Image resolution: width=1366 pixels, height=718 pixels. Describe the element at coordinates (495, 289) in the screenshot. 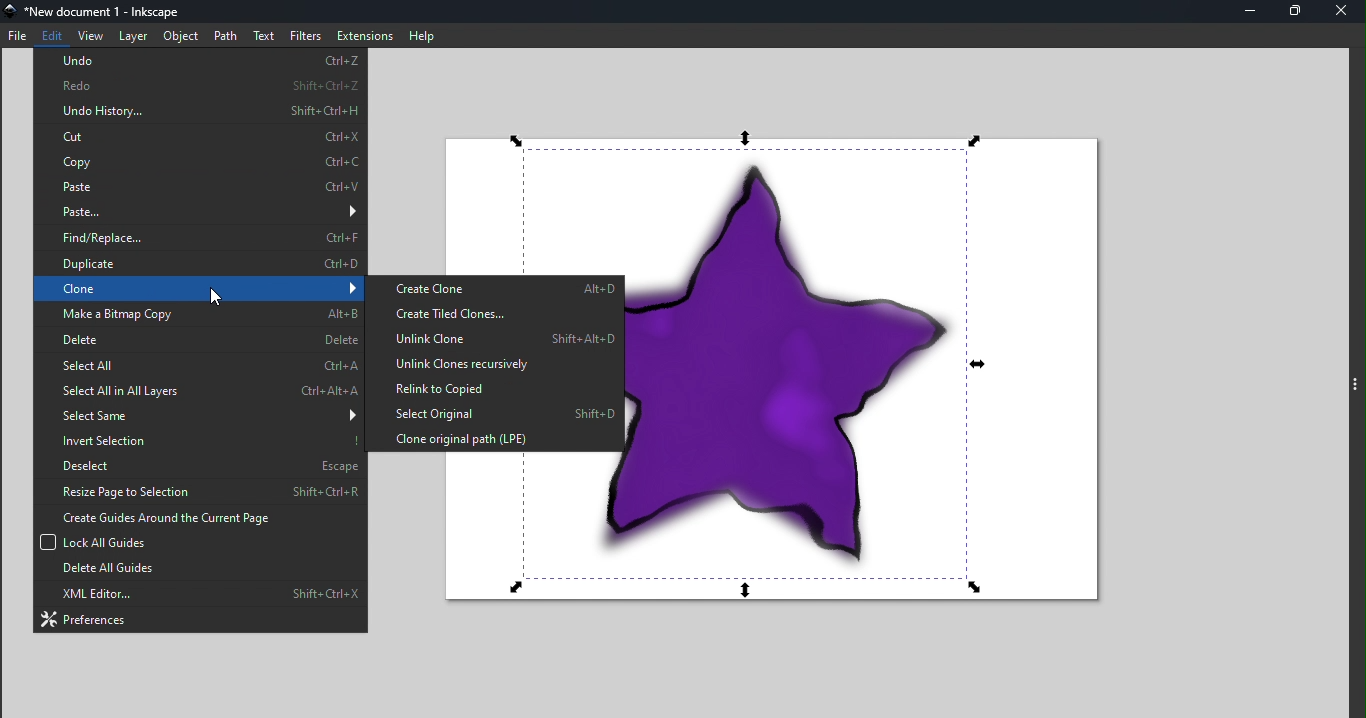

I see `Create` at that location.